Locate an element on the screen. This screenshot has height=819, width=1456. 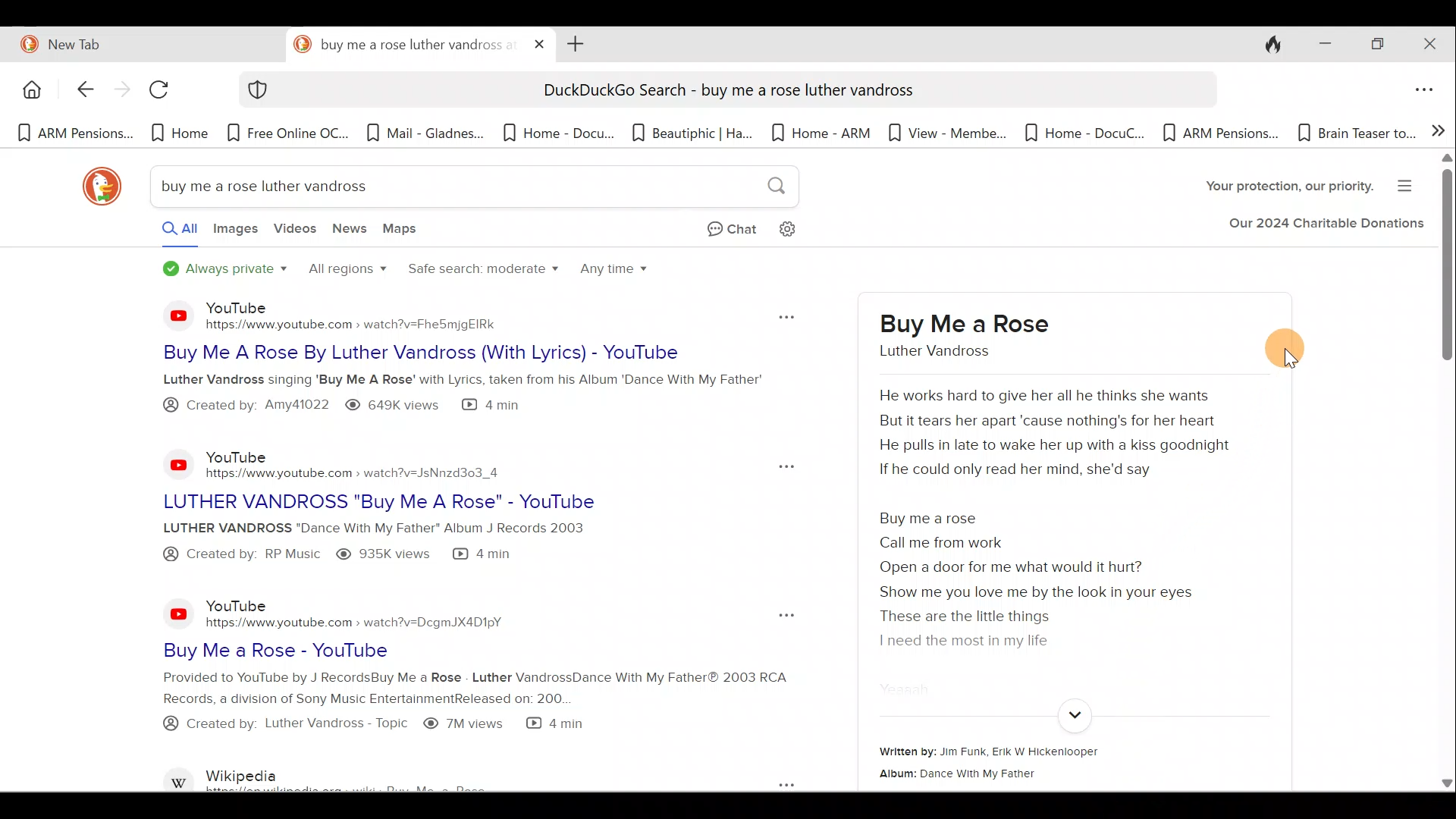
Bookmark 7 is located at coordinates (823, 134).